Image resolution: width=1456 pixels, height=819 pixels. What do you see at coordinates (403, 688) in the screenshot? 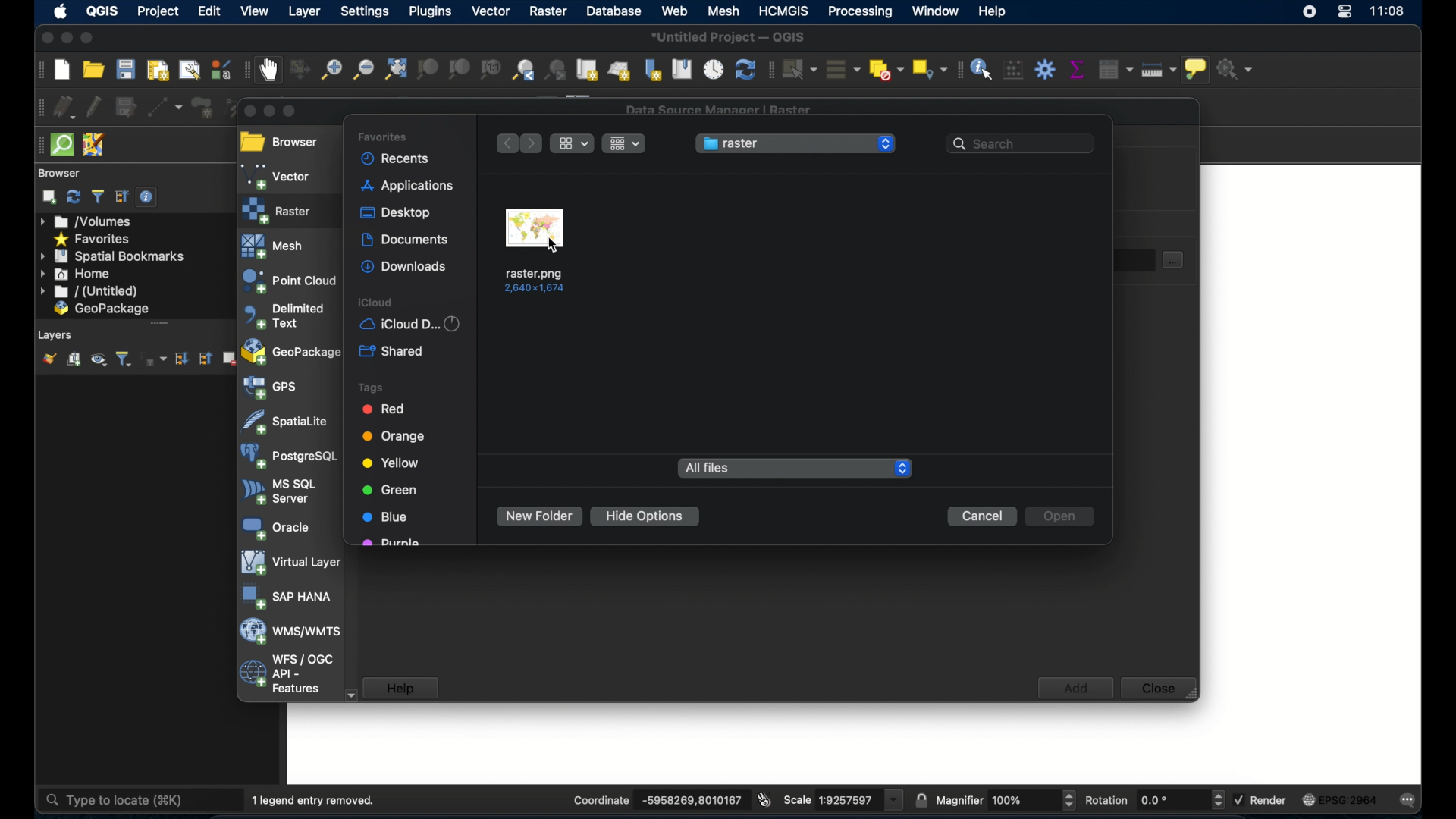
I see `help` at bounding box center [403, 688].